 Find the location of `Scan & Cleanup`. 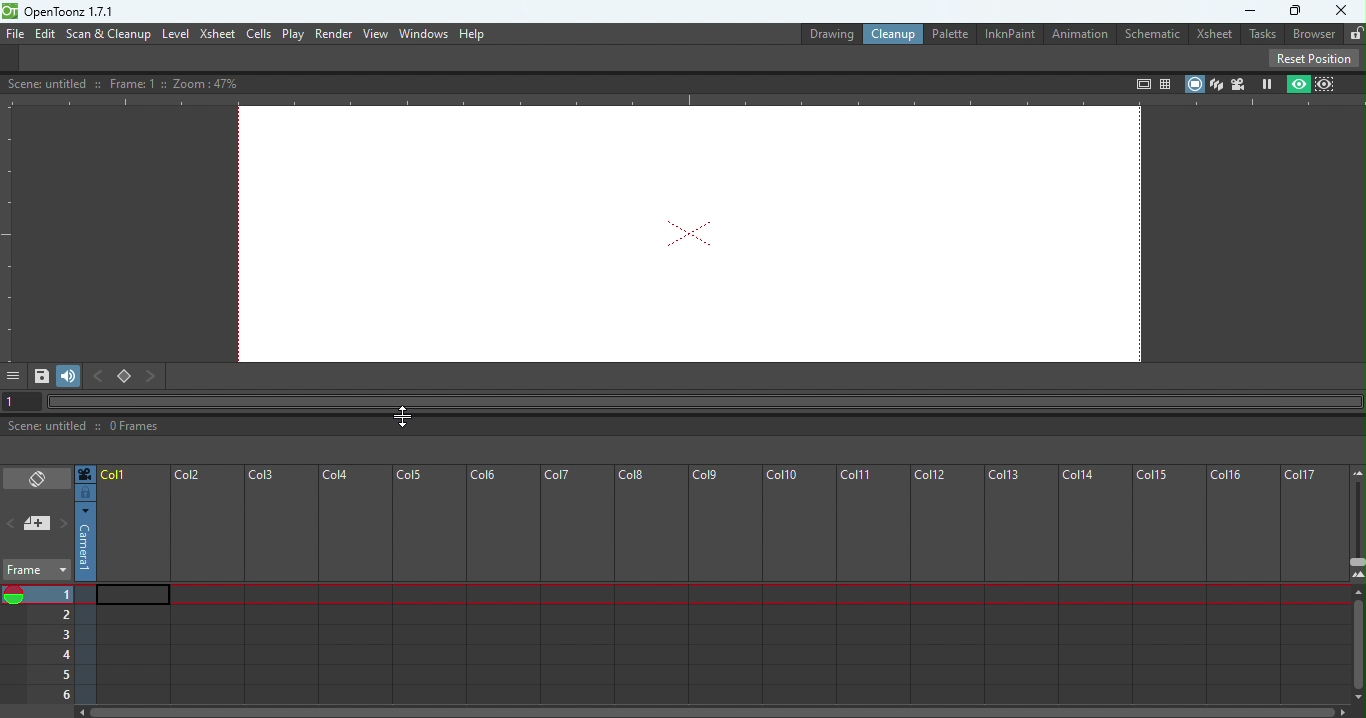

Scan & Cleanup is located at coordinates (109, 35).